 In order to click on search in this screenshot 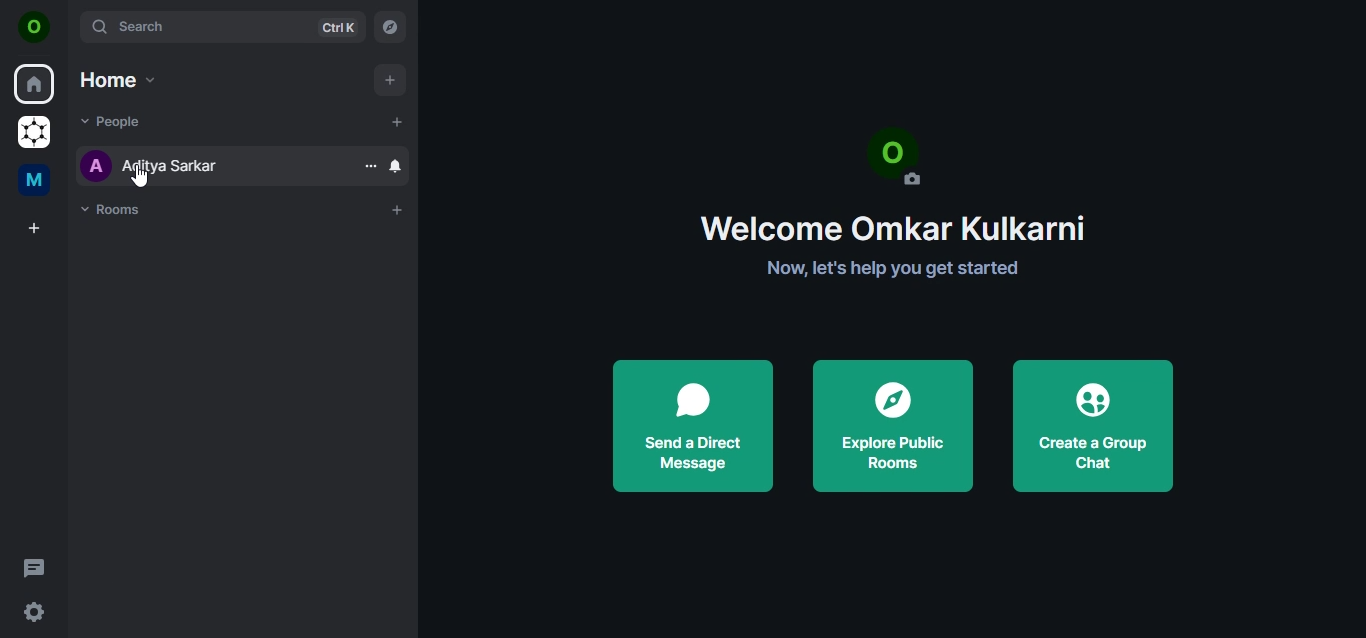, I will do `click(220, 26)`.